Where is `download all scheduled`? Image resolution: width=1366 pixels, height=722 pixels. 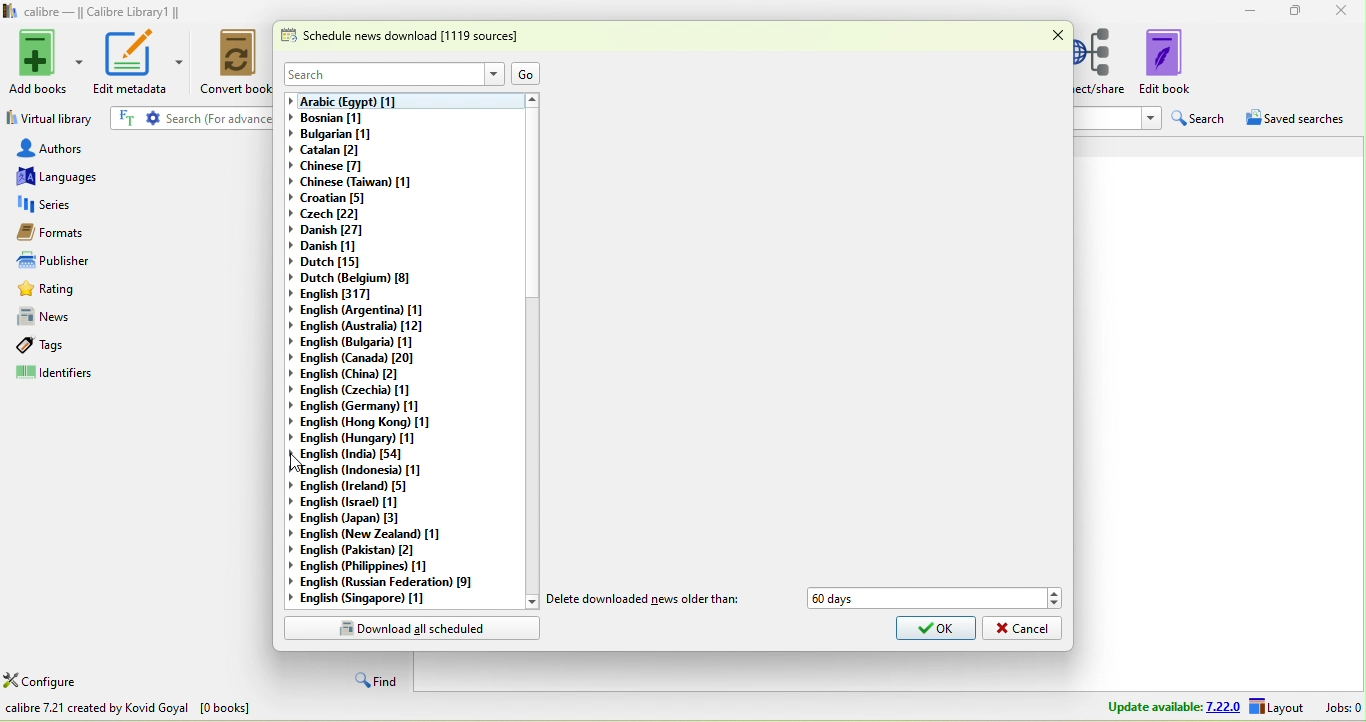 download all scheduled is located at coordinates (414, 629).